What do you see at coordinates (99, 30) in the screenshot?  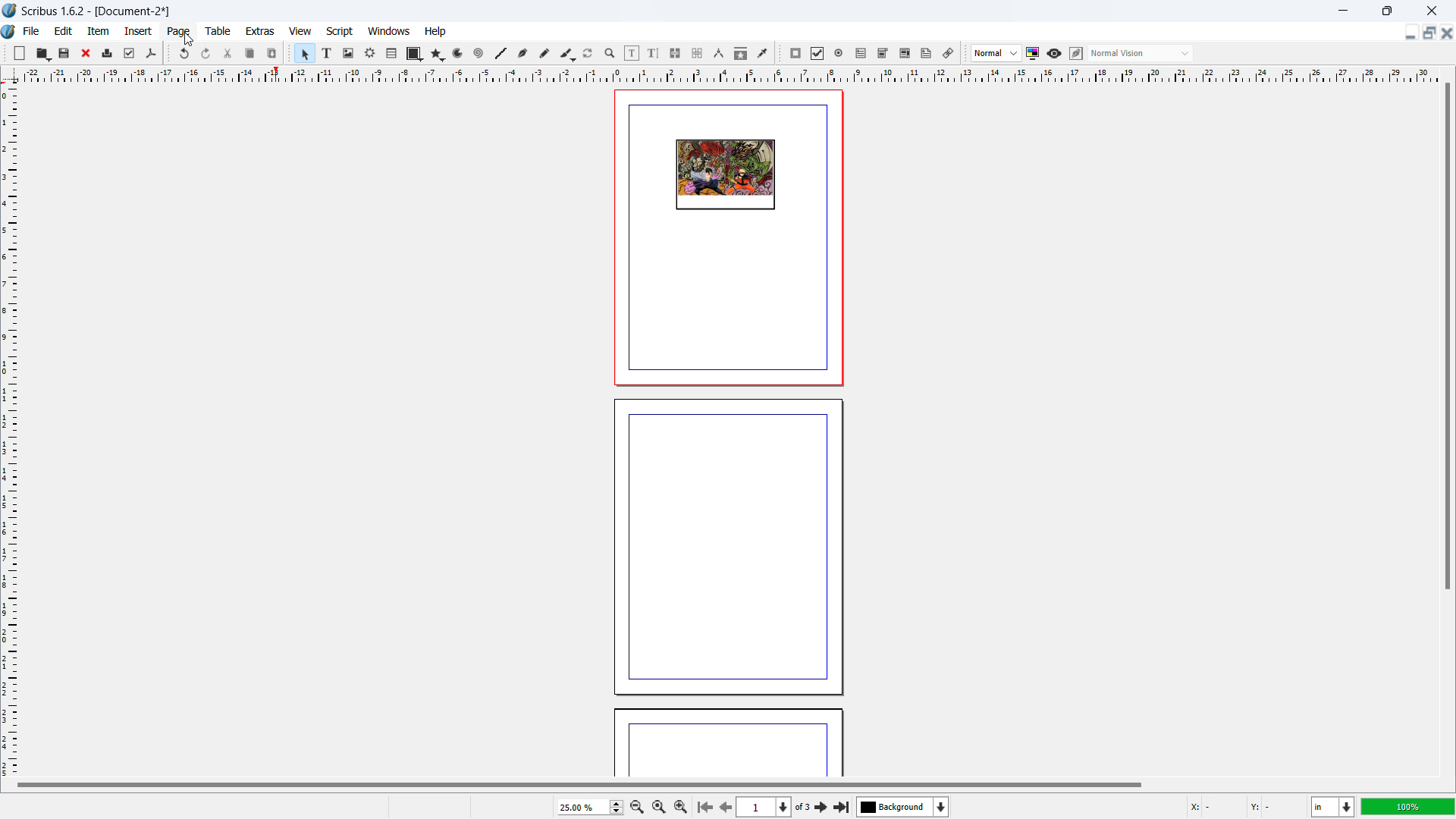 I see `item` at bounding box center [99, 30].